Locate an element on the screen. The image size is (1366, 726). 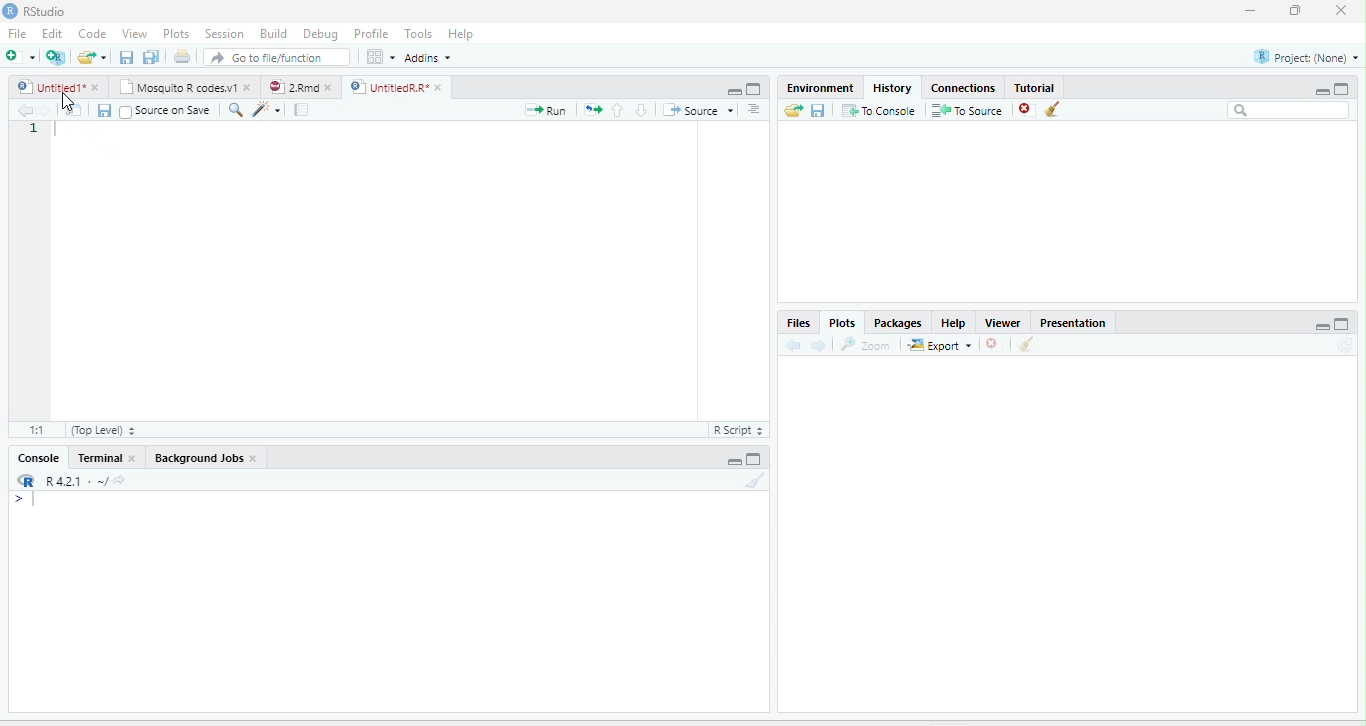
UntitledR.R* is located at coordinates (388, 87).